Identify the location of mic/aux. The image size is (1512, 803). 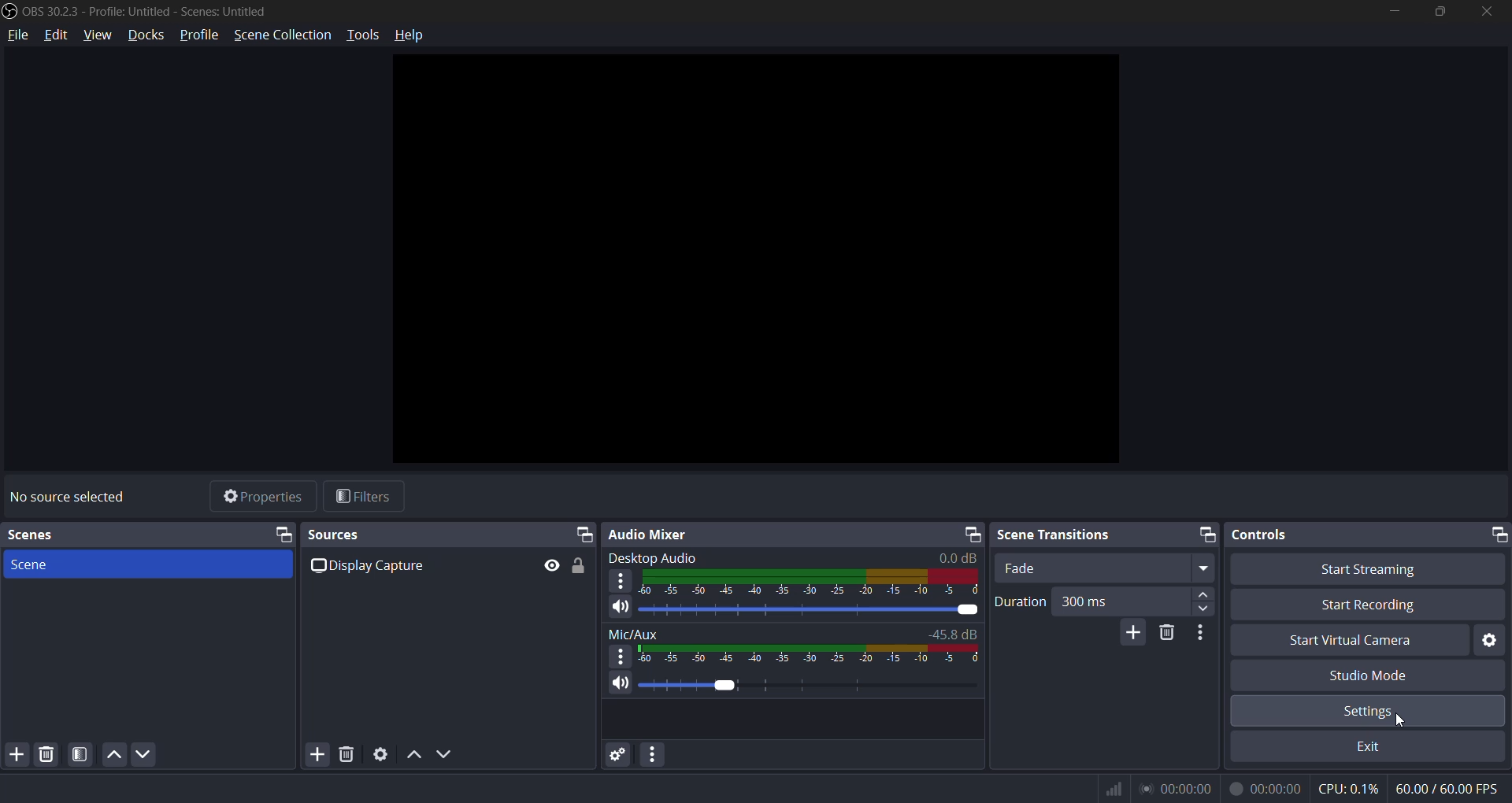
(634, 632).